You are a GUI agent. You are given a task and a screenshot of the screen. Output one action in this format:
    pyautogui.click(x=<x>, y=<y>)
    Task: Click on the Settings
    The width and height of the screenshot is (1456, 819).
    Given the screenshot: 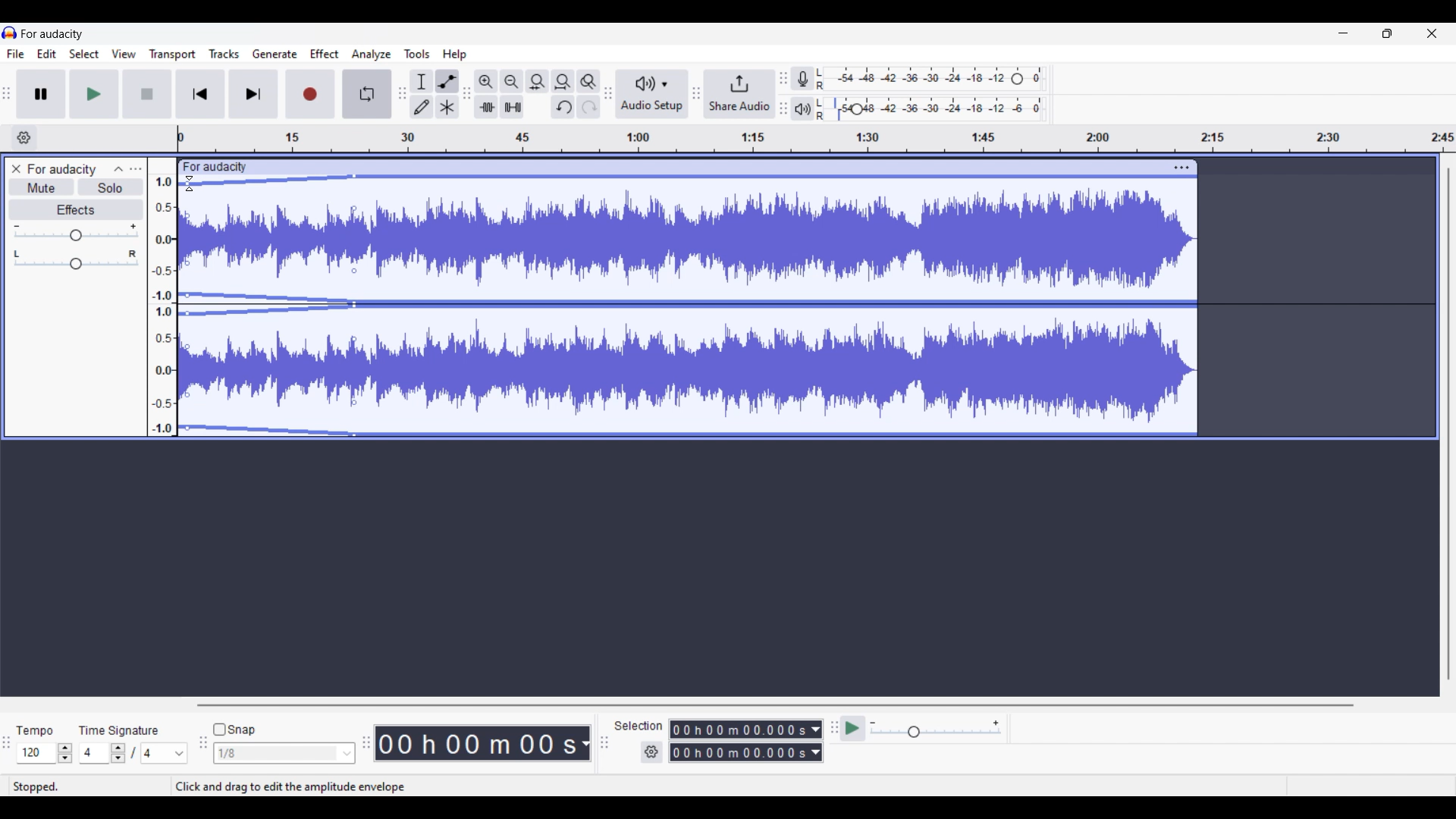 What is the action you would take?
    pyautogui.click(x=652, y=752)
    